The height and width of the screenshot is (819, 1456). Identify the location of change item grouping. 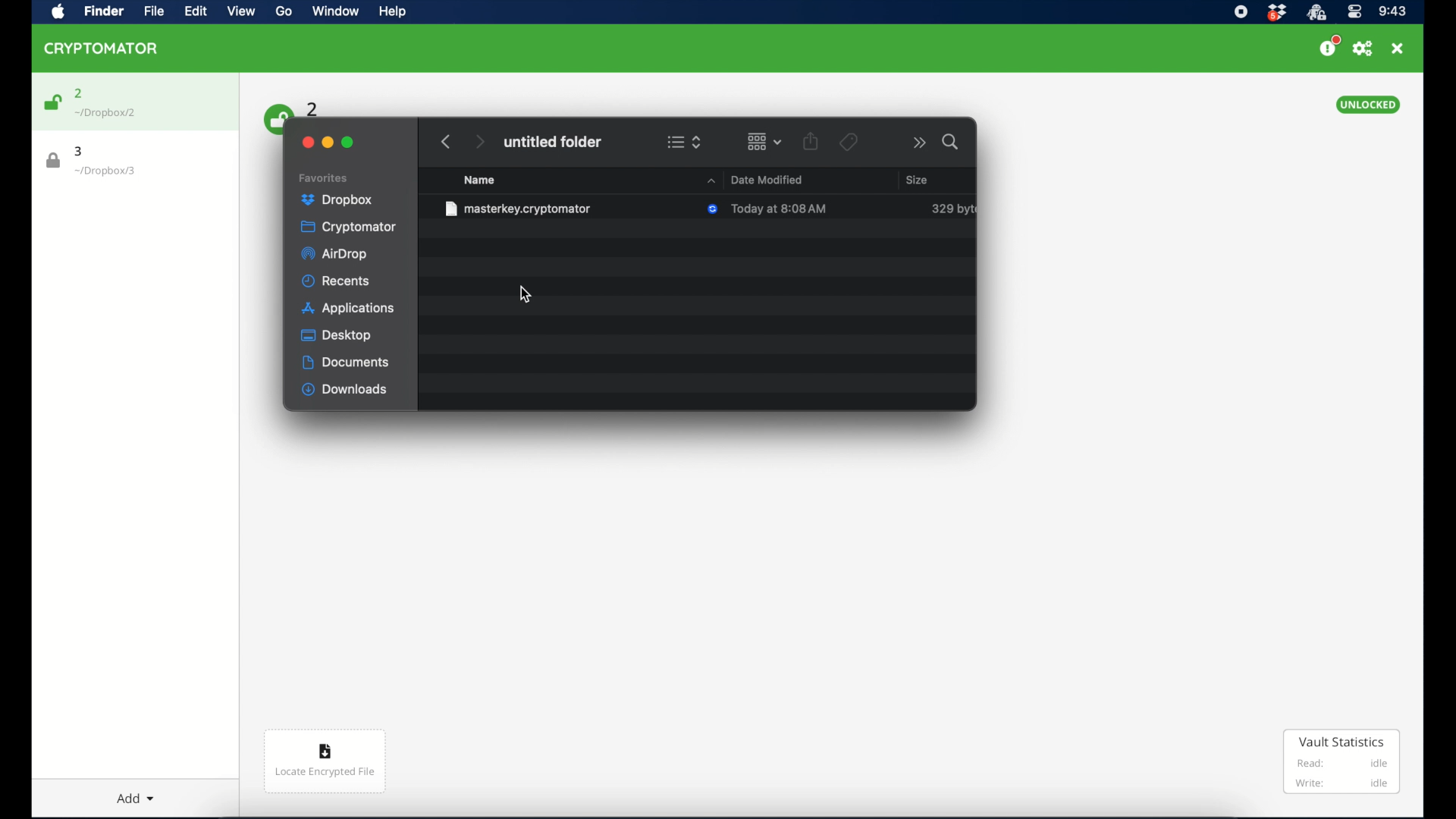
(765, 141).